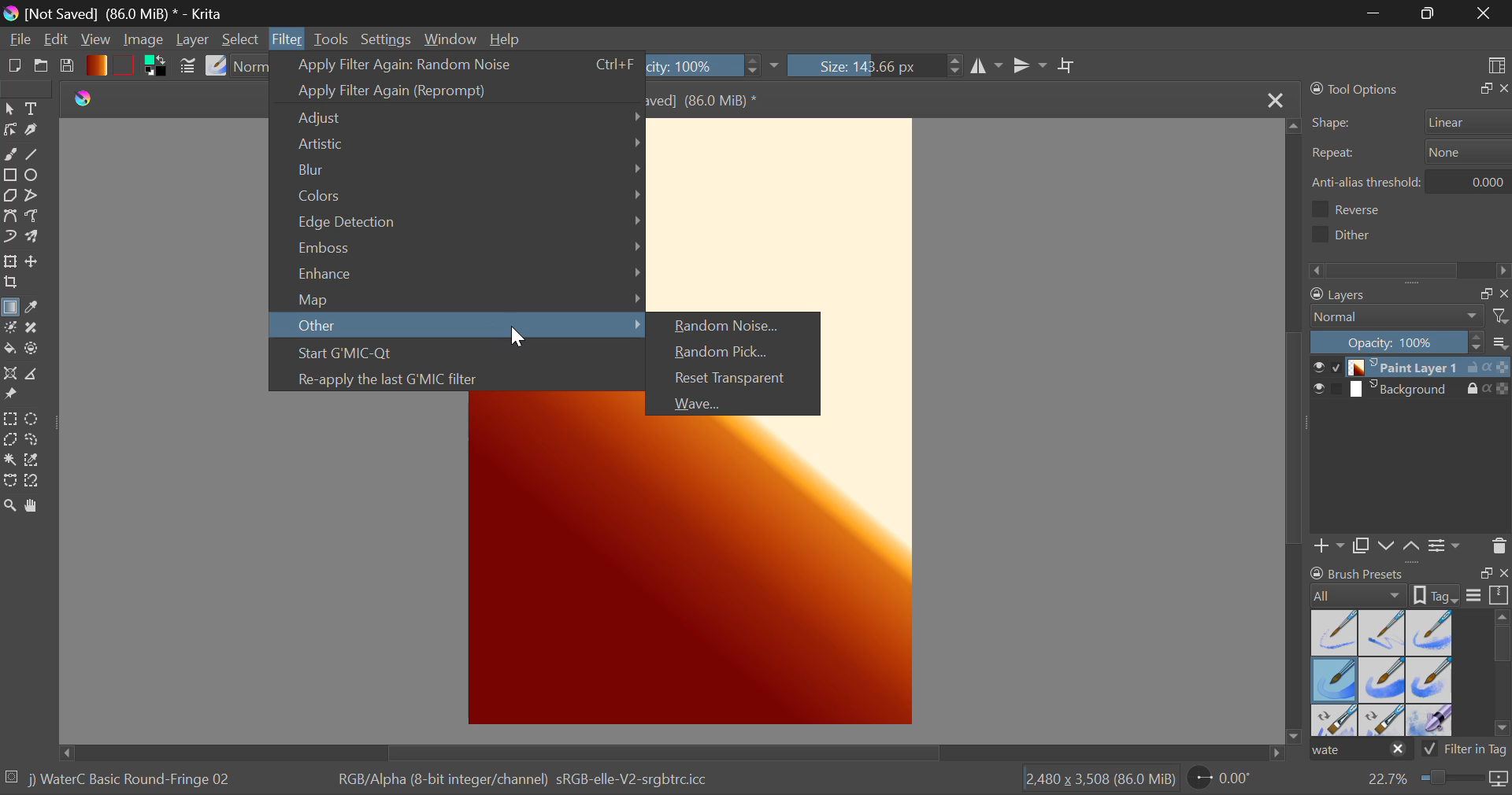 The height and width of the screenshot is (795, 1512). What do you see at coordinates (1411, 269) in the screenshot?
I see `horizontal scrollbar` at bounding box center [1411, 269].